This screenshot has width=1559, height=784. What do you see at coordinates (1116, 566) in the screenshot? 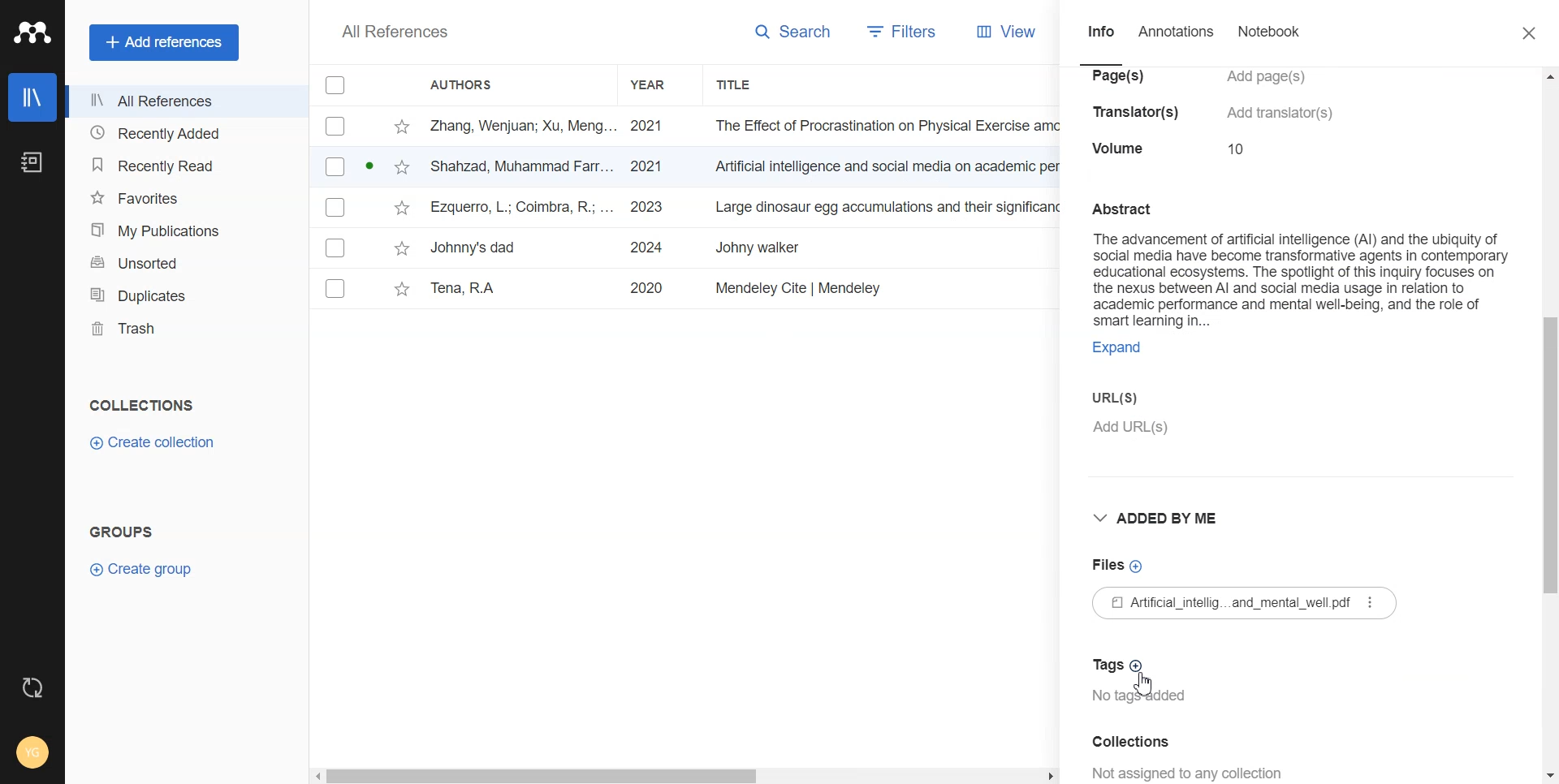
I see `Files` at bounding box center [1116, 566].